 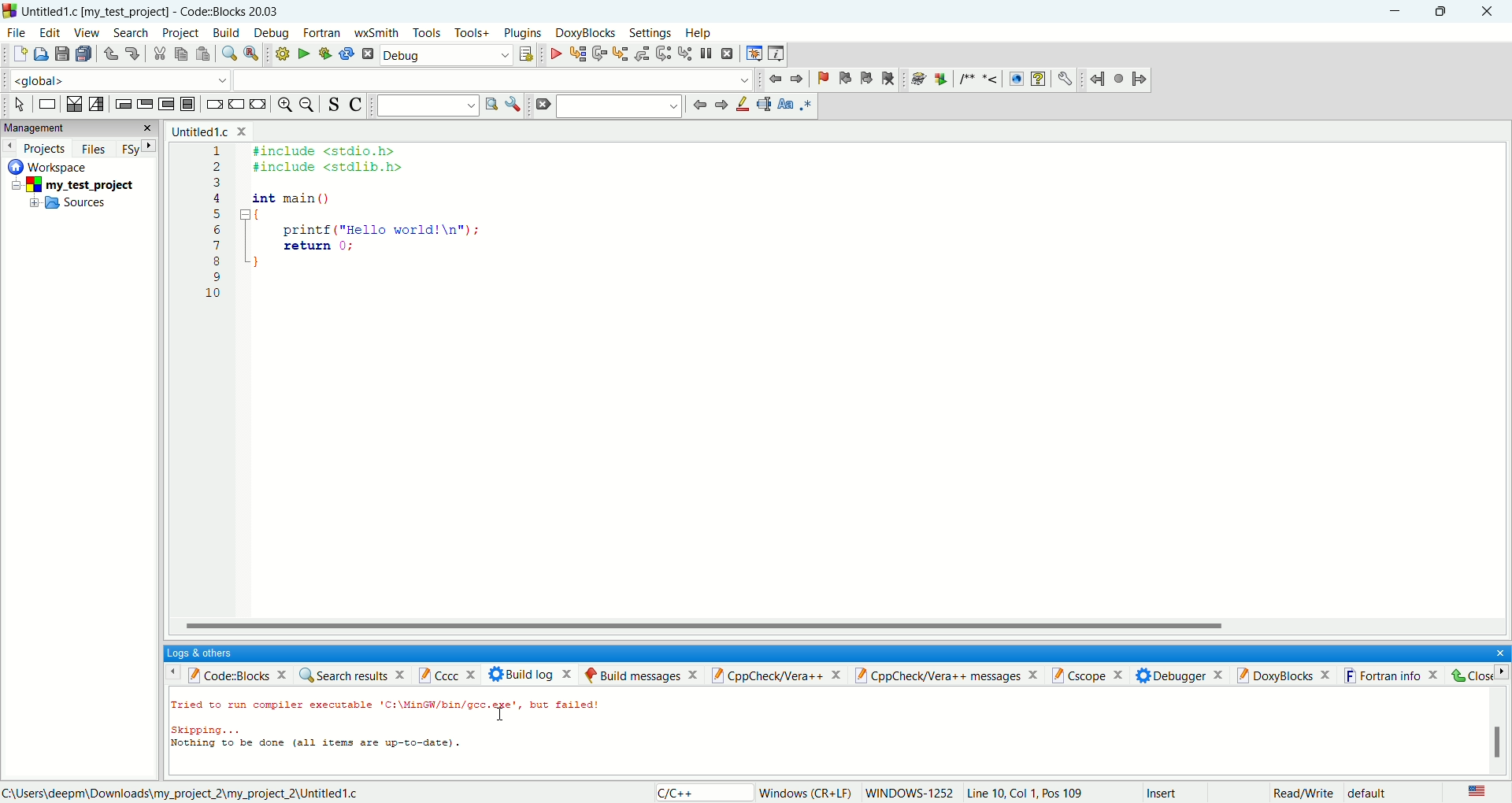 I want to click on save everything, so click(x=83, y=54).